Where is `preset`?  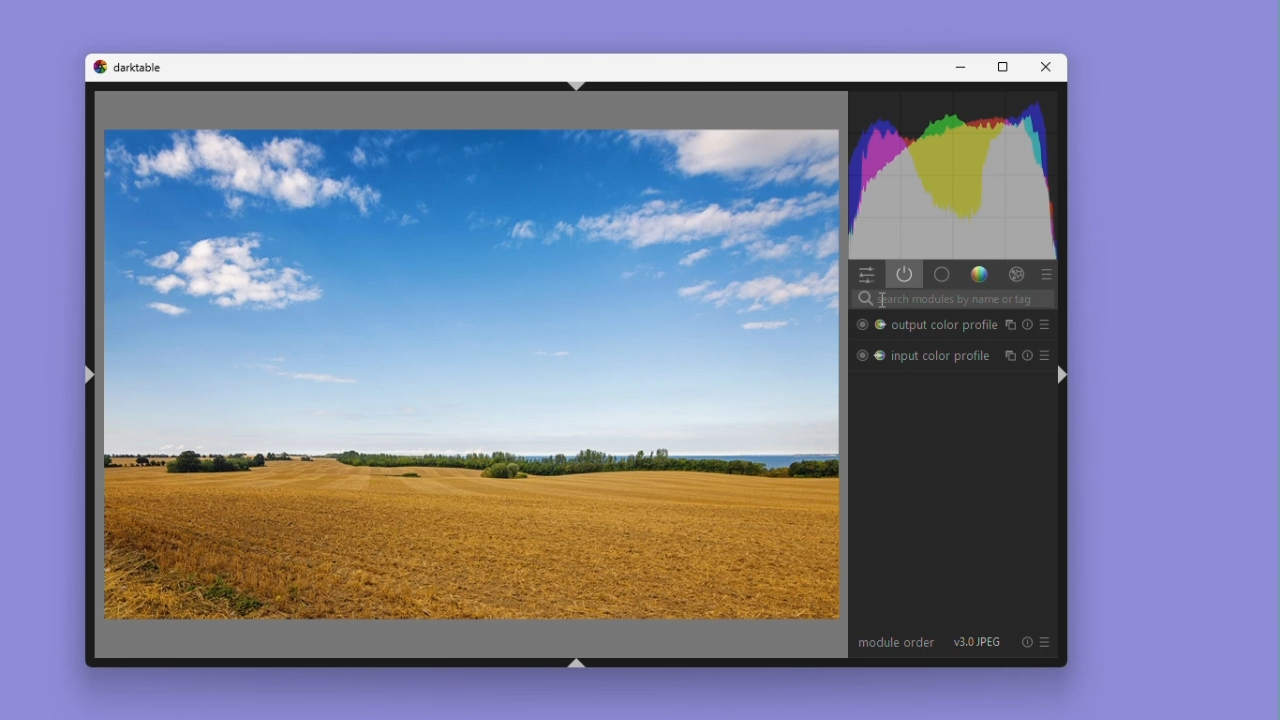
preset is located at coordinates (1044, 354).